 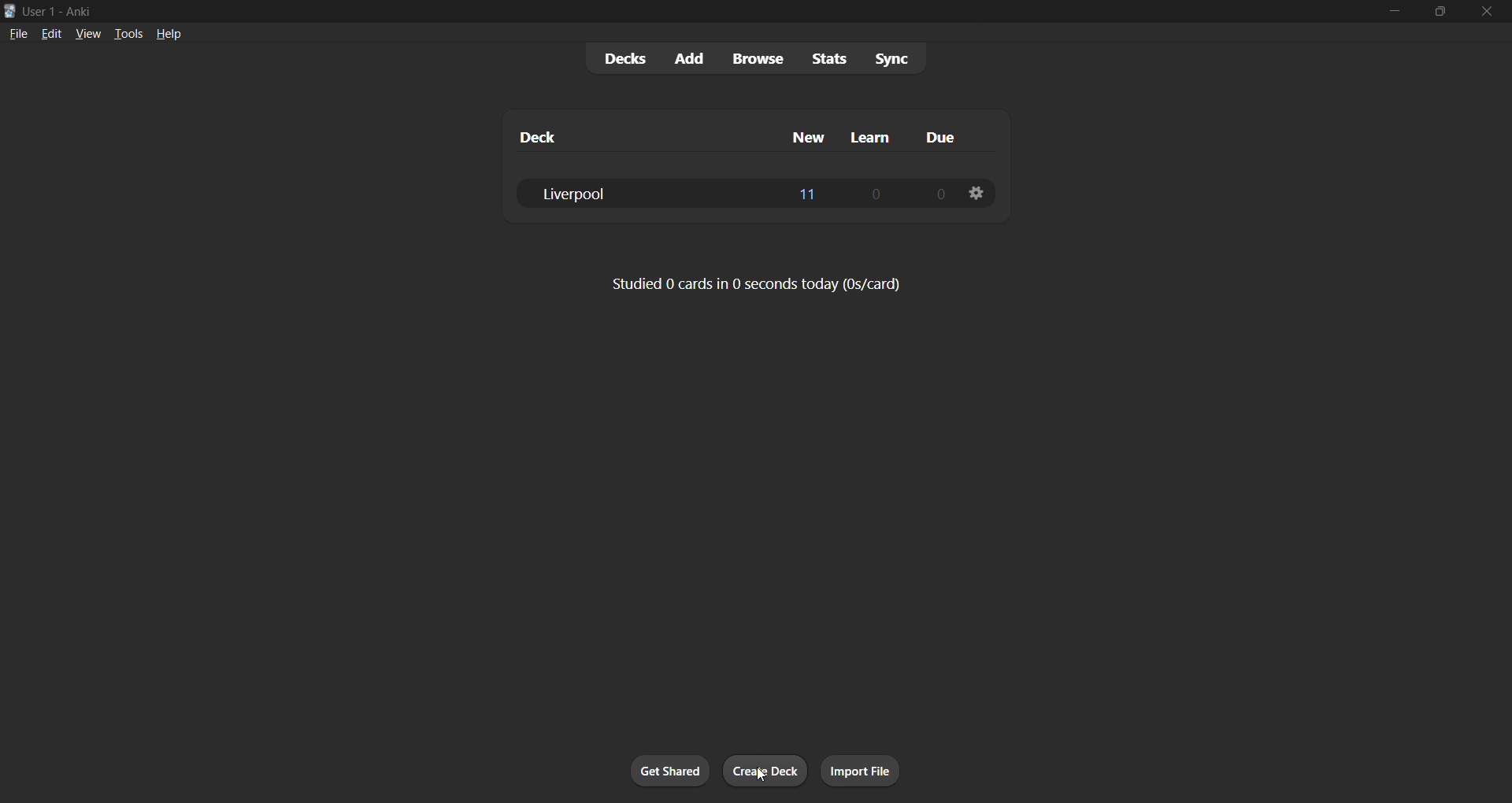 What do you see at coordinates (52, 32) in the screenshot?
I see `edit` at bounding box center [52, 32].